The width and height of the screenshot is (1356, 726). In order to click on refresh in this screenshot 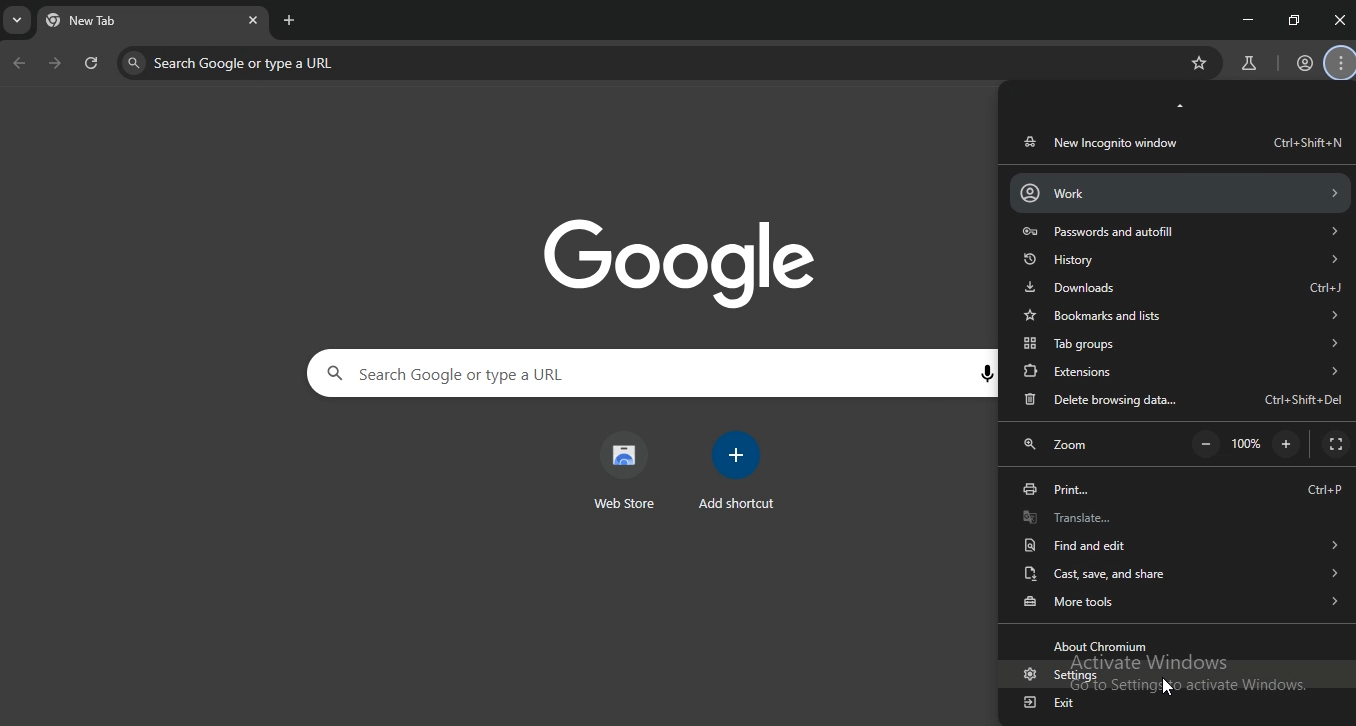, I will do `click(92, 65)`.